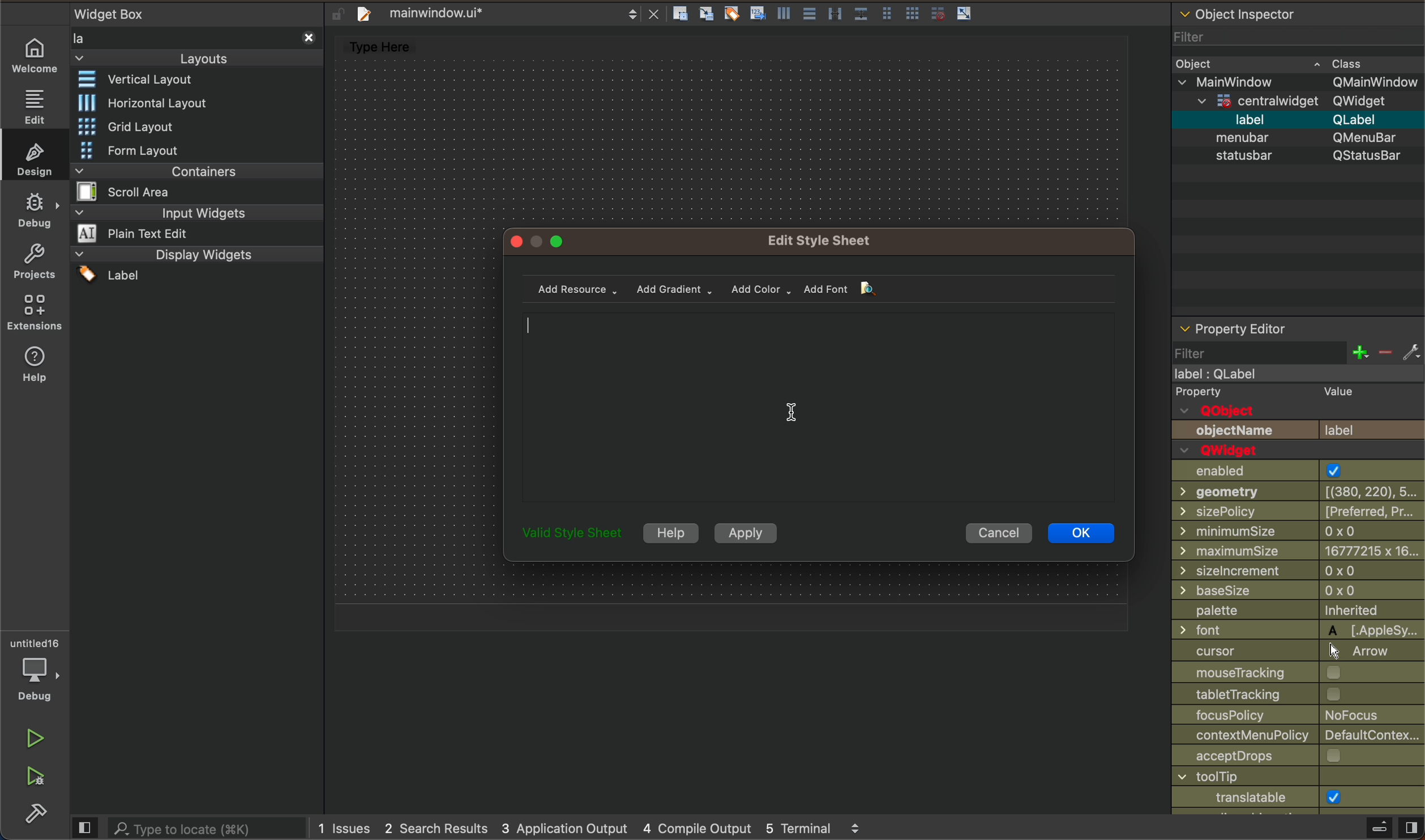 The image size is (1425, 840). What do you see at coordinates (1256, 39) in the screenshot?
I see `filter` at bounding box center [1256, 39].